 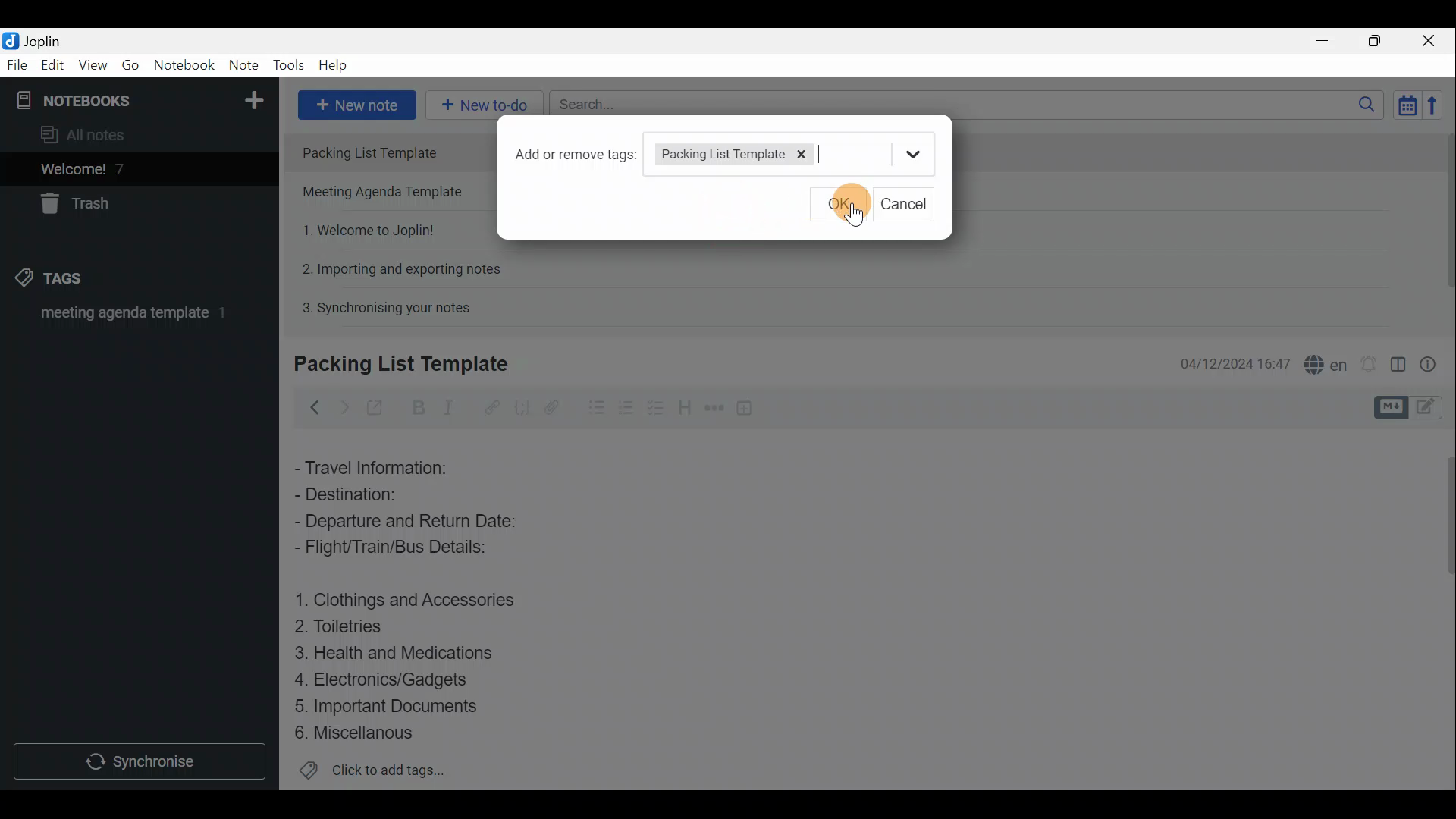 I want to click on Ok, so click(x=838, y=205).